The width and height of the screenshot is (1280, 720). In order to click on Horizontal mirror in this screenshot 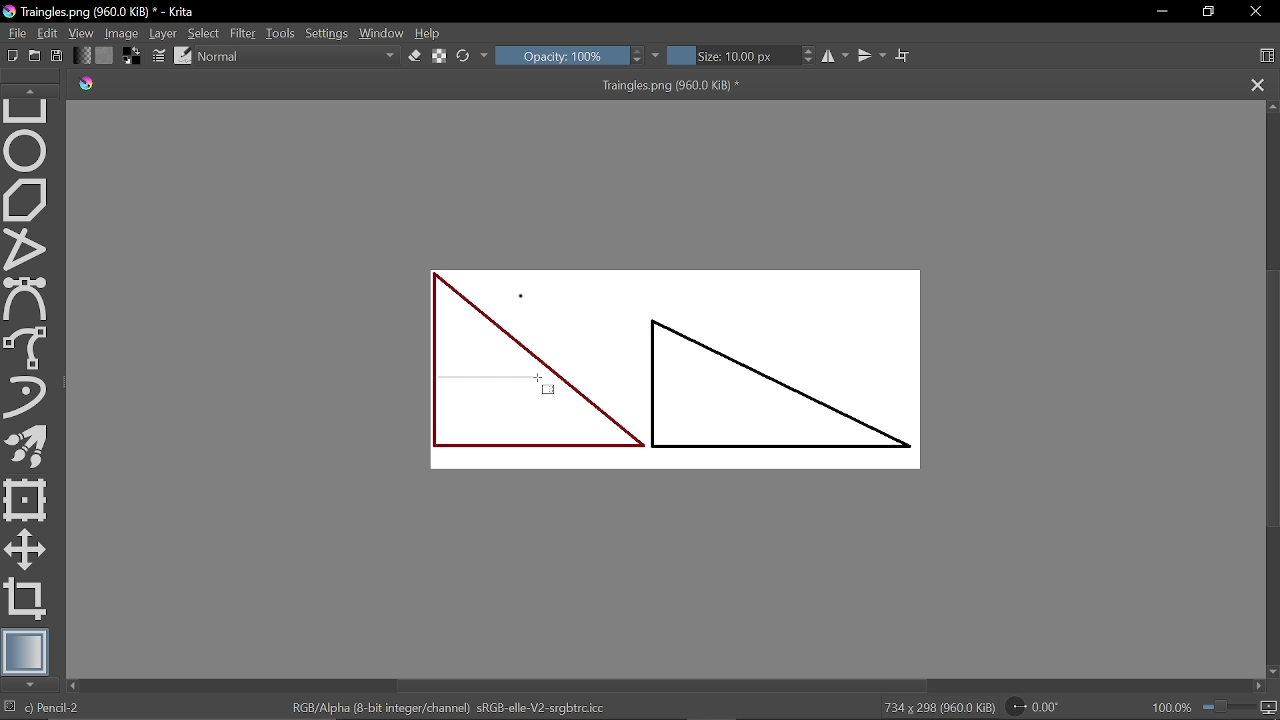, I will do `click(833, 58)`.